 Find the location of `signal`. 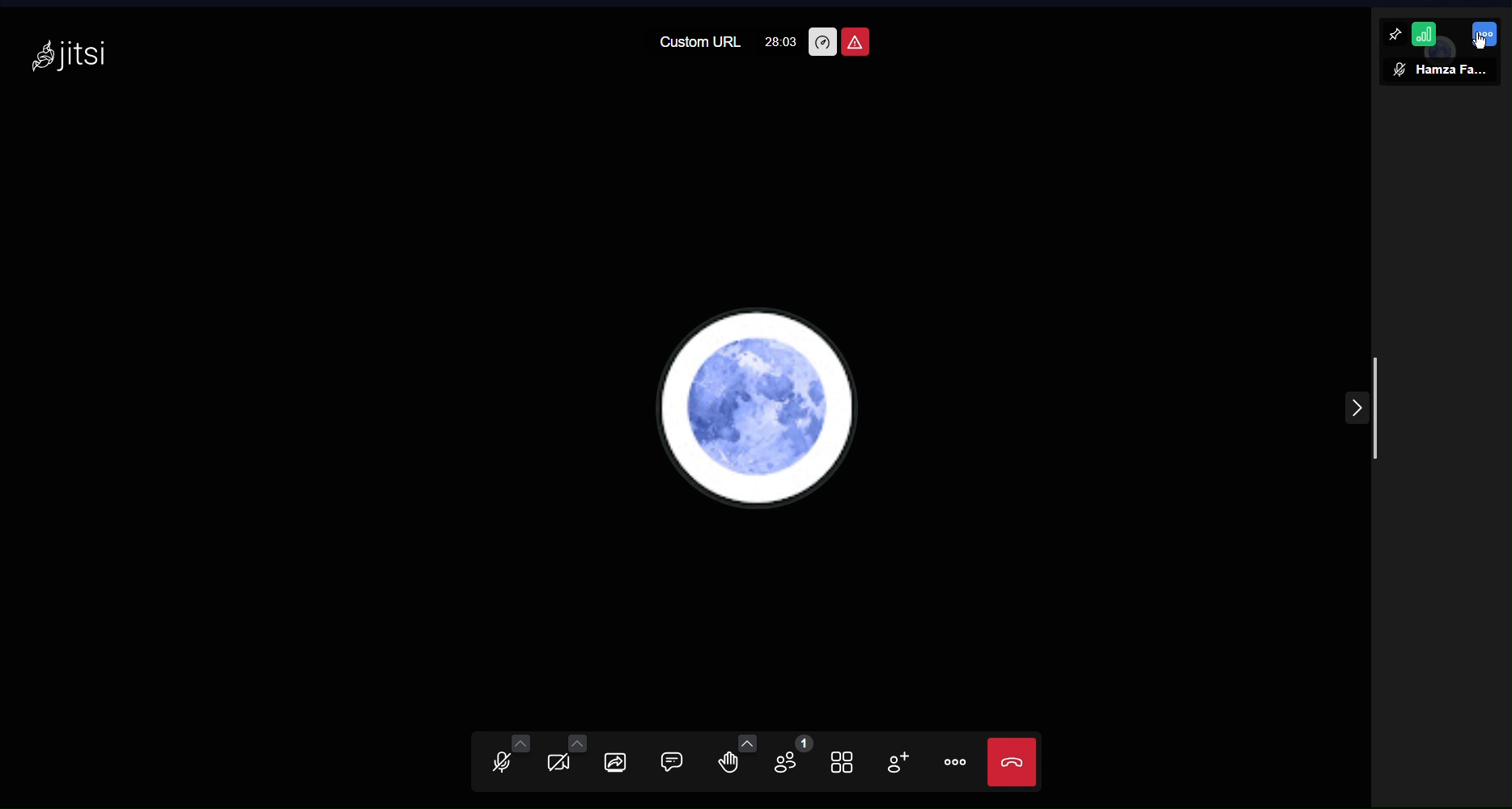

signal is located at coordinates (1425, 34).